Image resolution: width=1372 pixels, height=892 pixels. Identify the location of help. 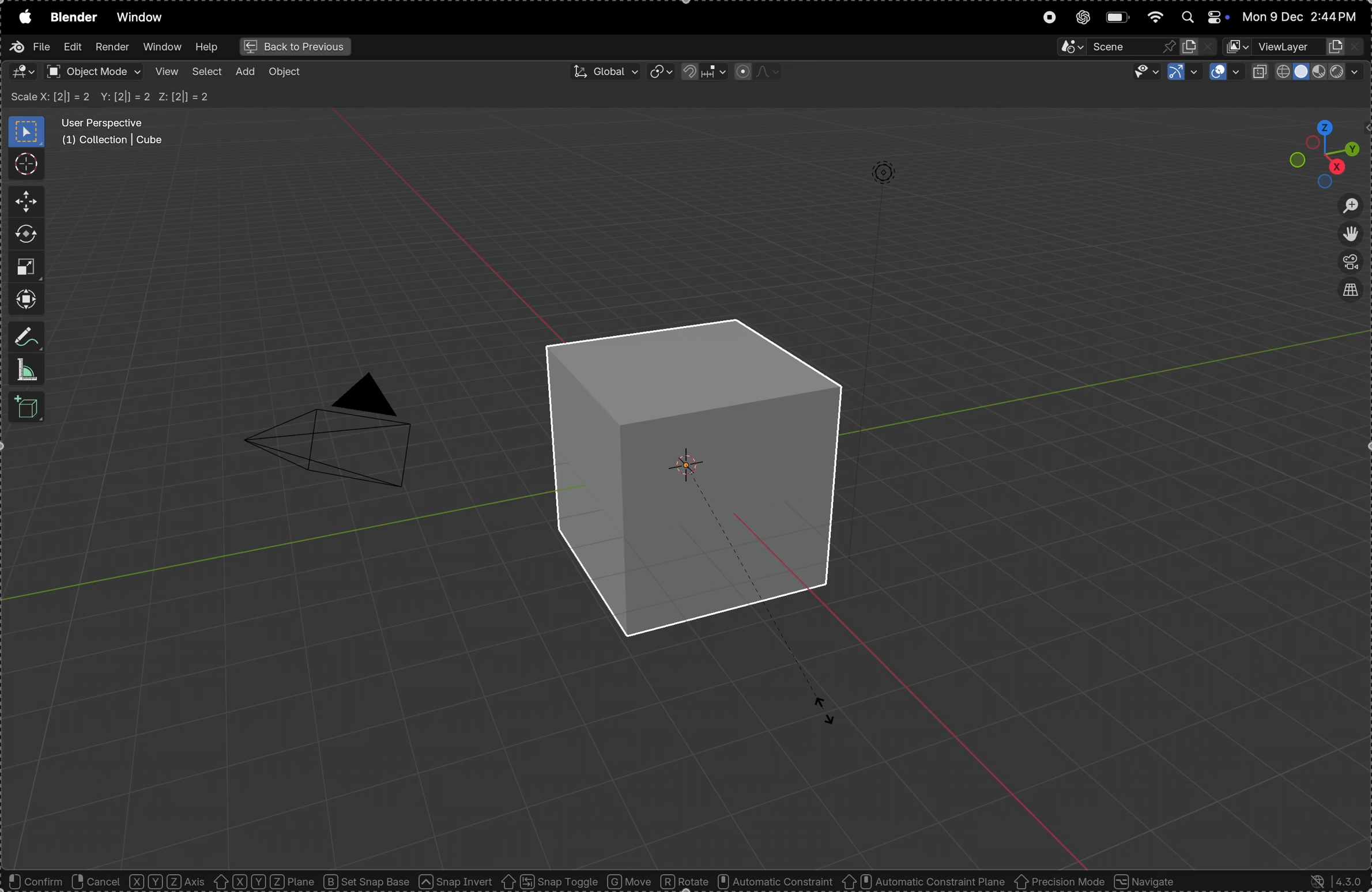
(208, 47).